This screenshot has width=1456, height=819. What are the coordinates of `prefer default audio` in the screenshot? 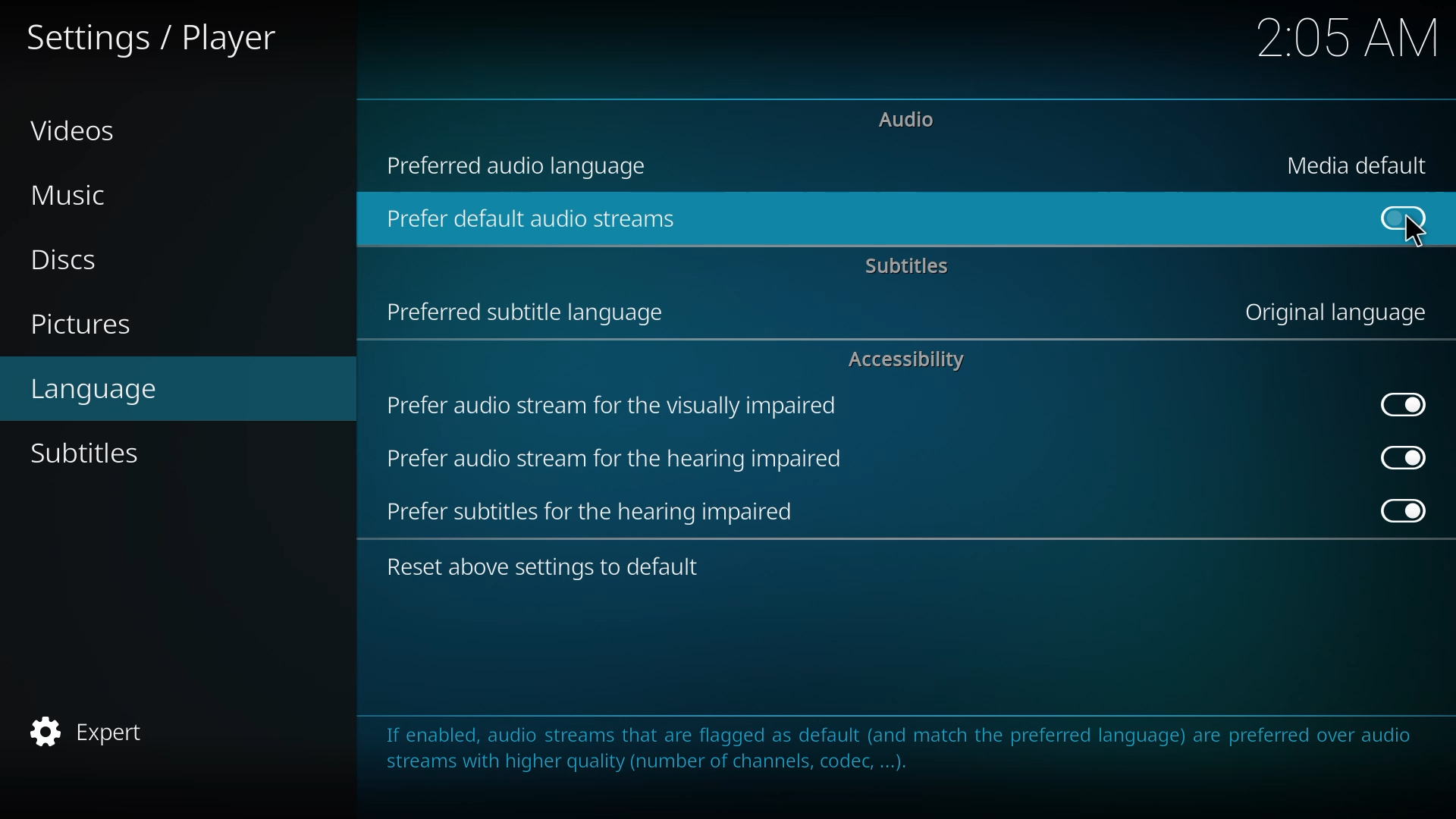 It's located at (535, 218).